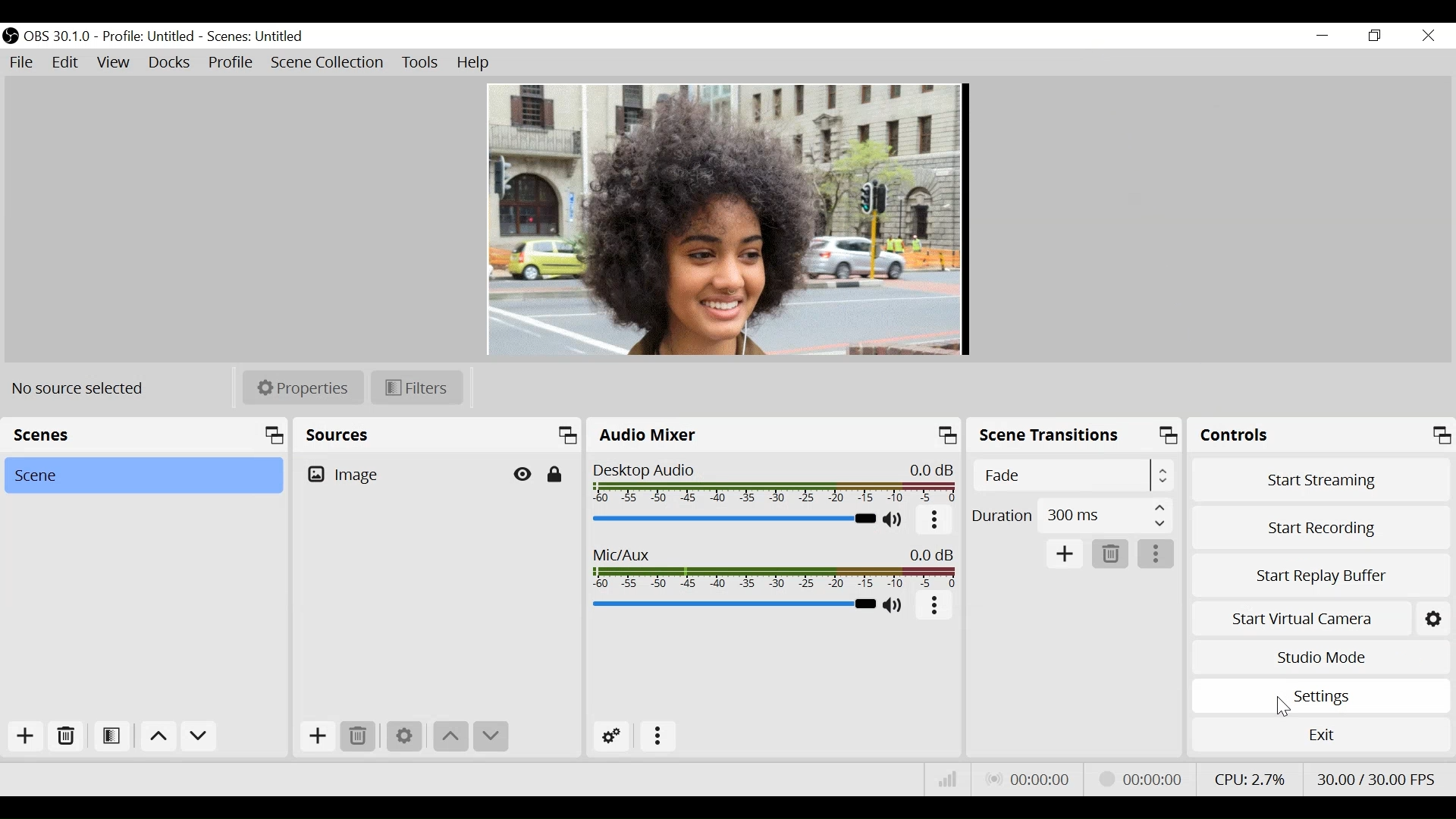 The width and height of the screenshot is (1456, 819). I want to click on Scene Collection, so click(329, 63).